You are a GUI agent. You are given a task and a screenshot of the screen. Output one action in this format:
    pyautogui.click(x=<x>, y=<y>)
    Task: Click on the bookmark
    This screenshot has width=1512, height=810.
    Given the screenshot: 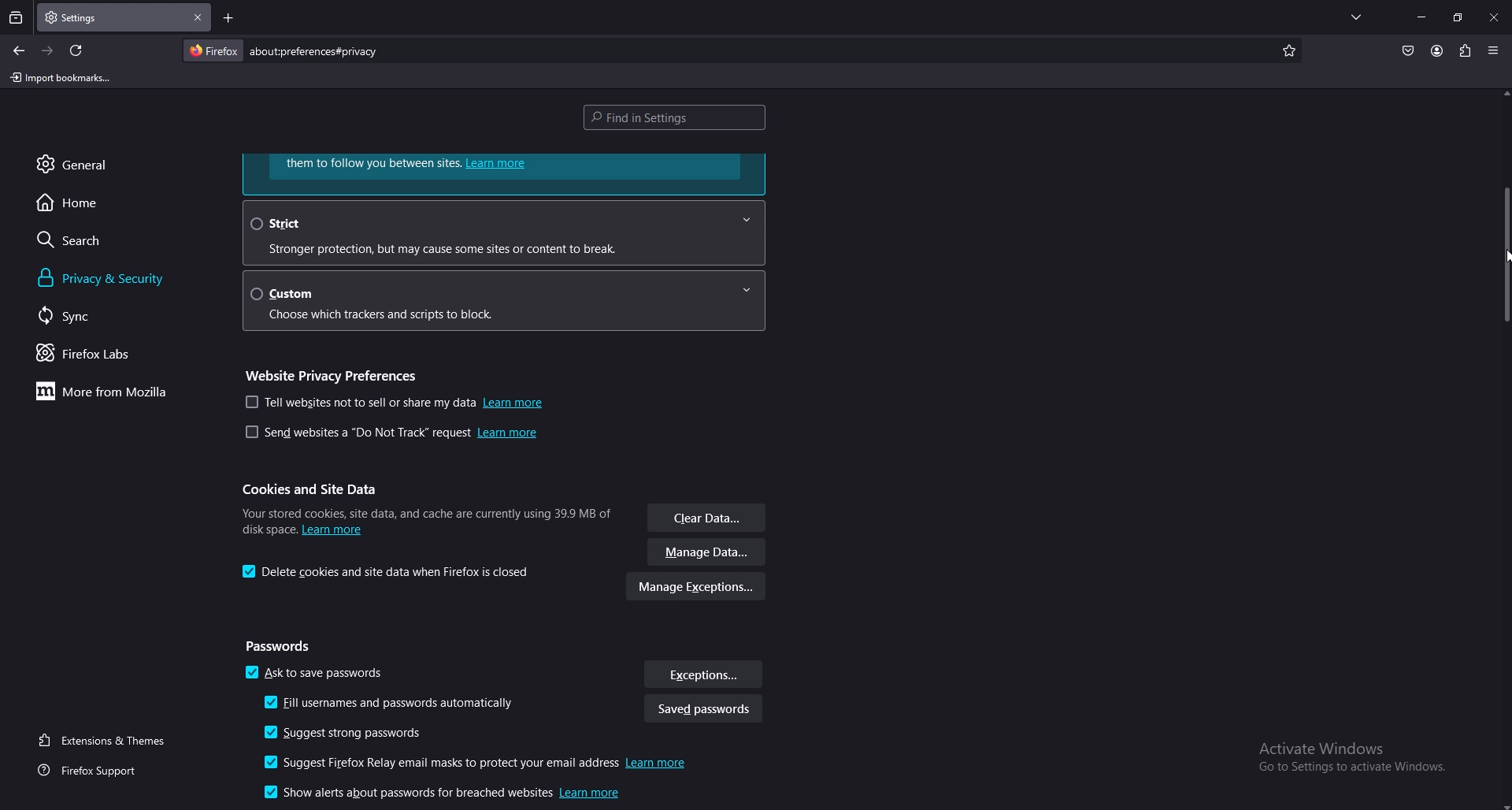 What is the action you would take?
    pyautogui.click(x=1290, y=51)
    